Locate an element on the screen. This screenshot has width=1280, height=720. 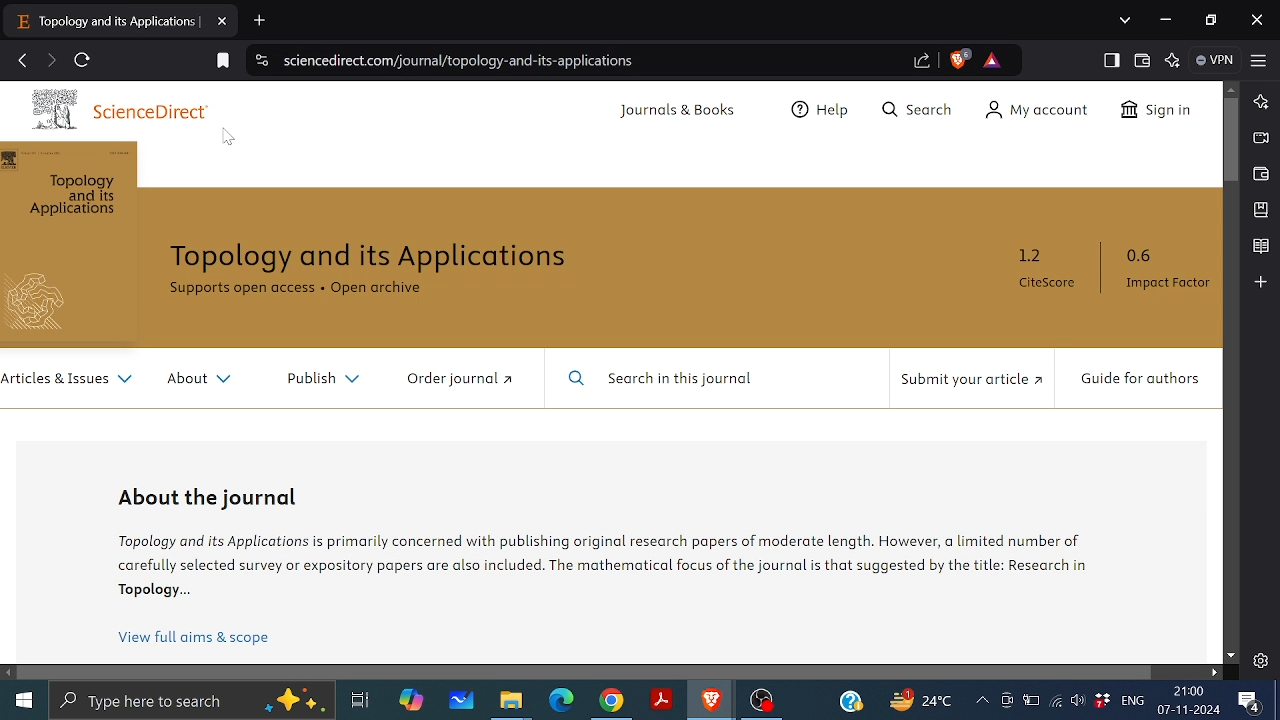
View full aims & scope is located at coordinates (198, 641).